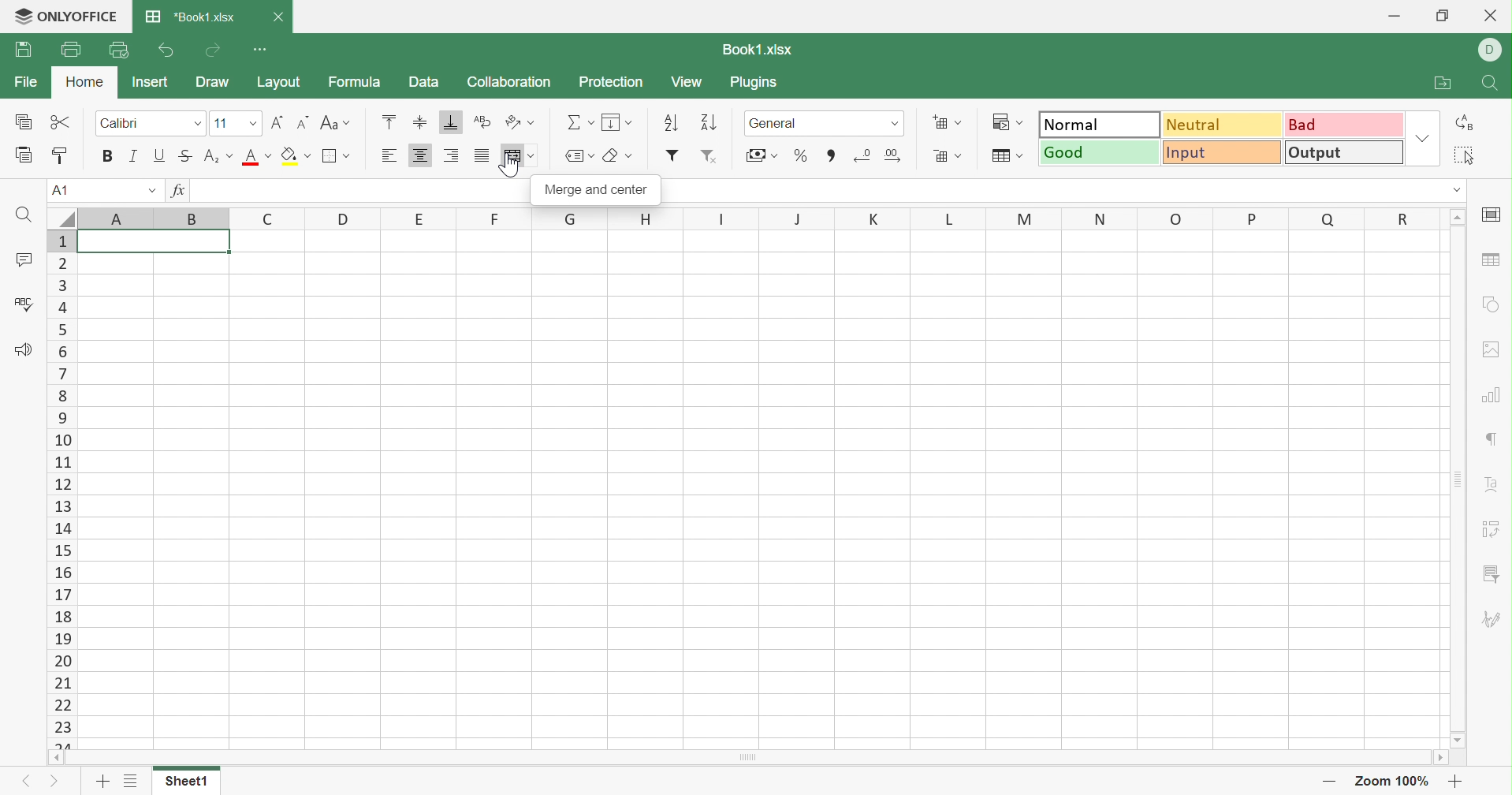 This screenshot has width=1512, height=795. Describe the element at coordinates (1344, 153) in the screenshot. I see `Output` at that location.